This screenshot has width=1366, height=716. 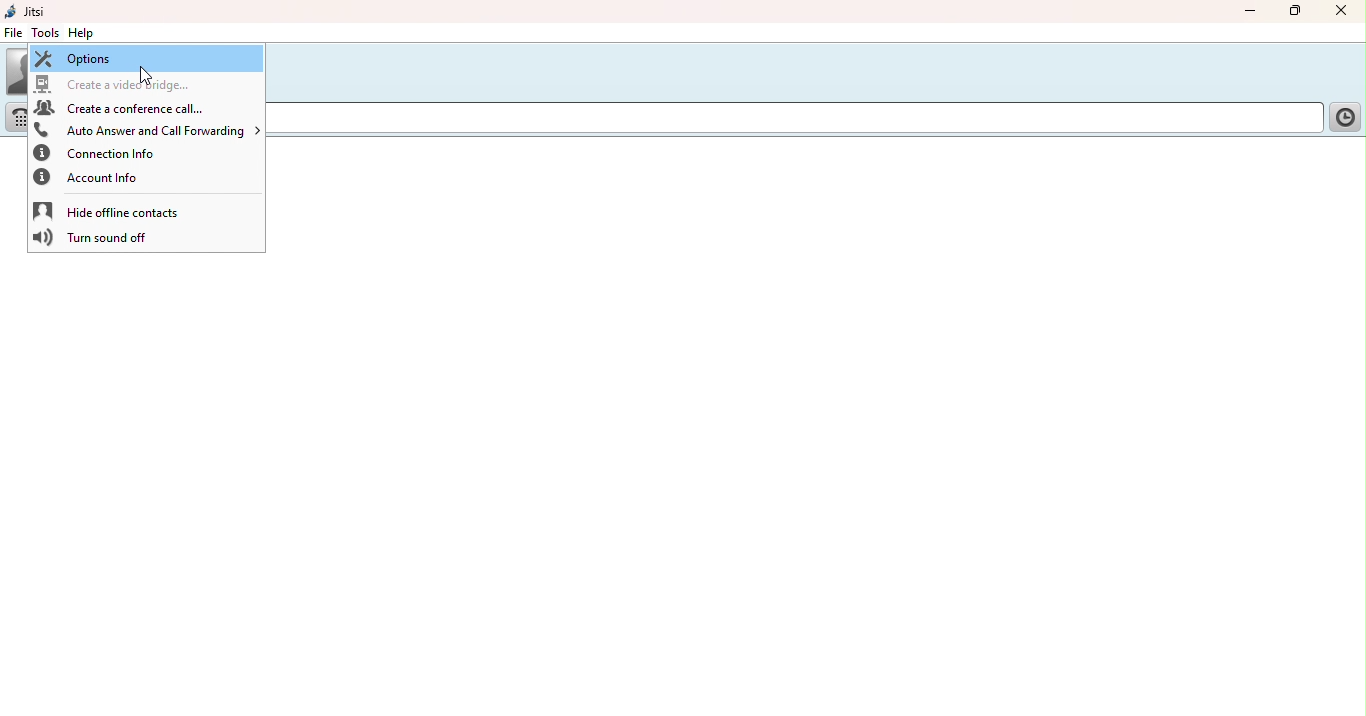 What do you see at coordinates (115, 210) in the screenshot?
I see `Hide offline contacts` at bounding box center [115, 210].